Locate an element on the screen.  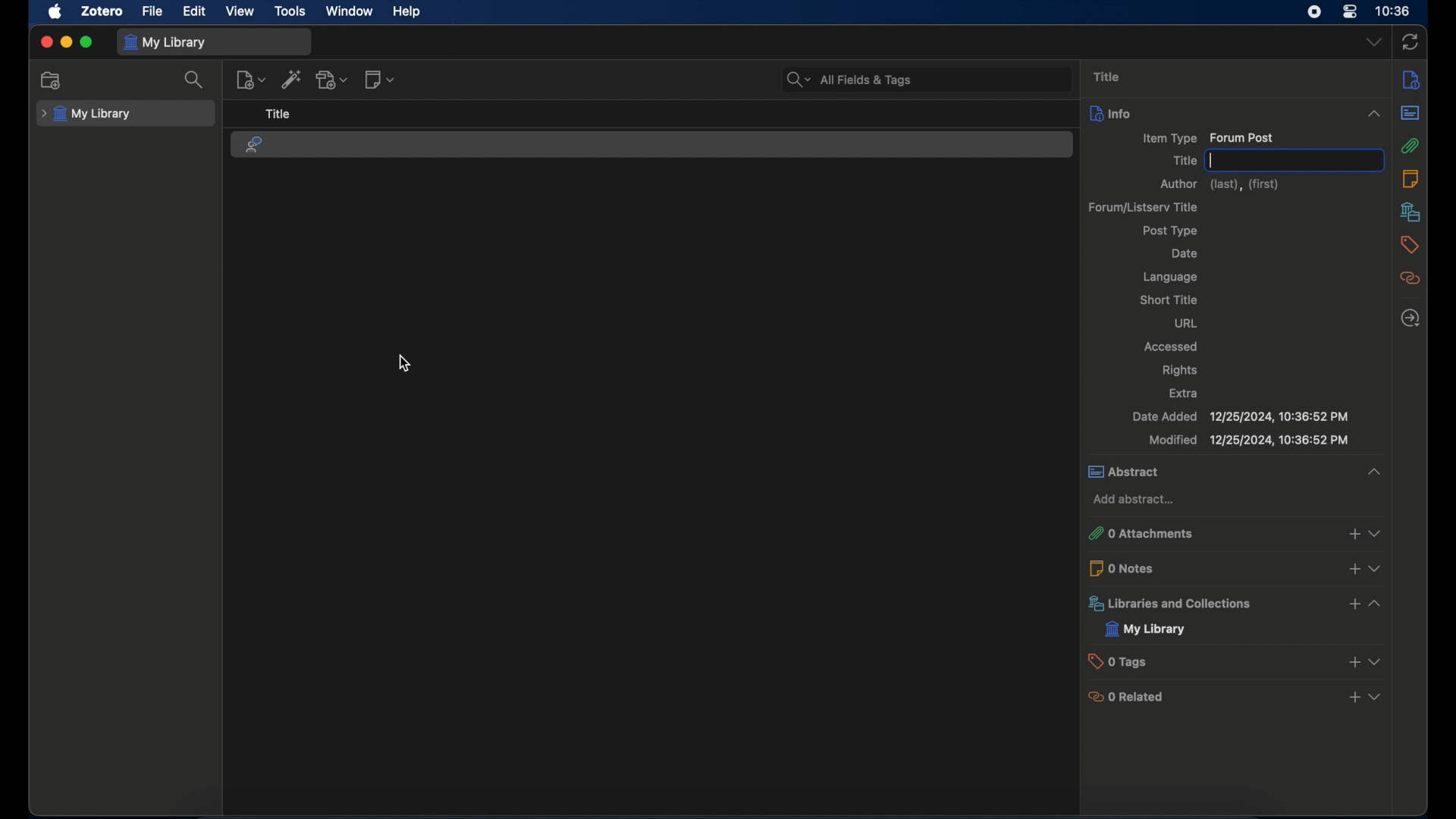
abstract is located at coordinates (1235, 472).